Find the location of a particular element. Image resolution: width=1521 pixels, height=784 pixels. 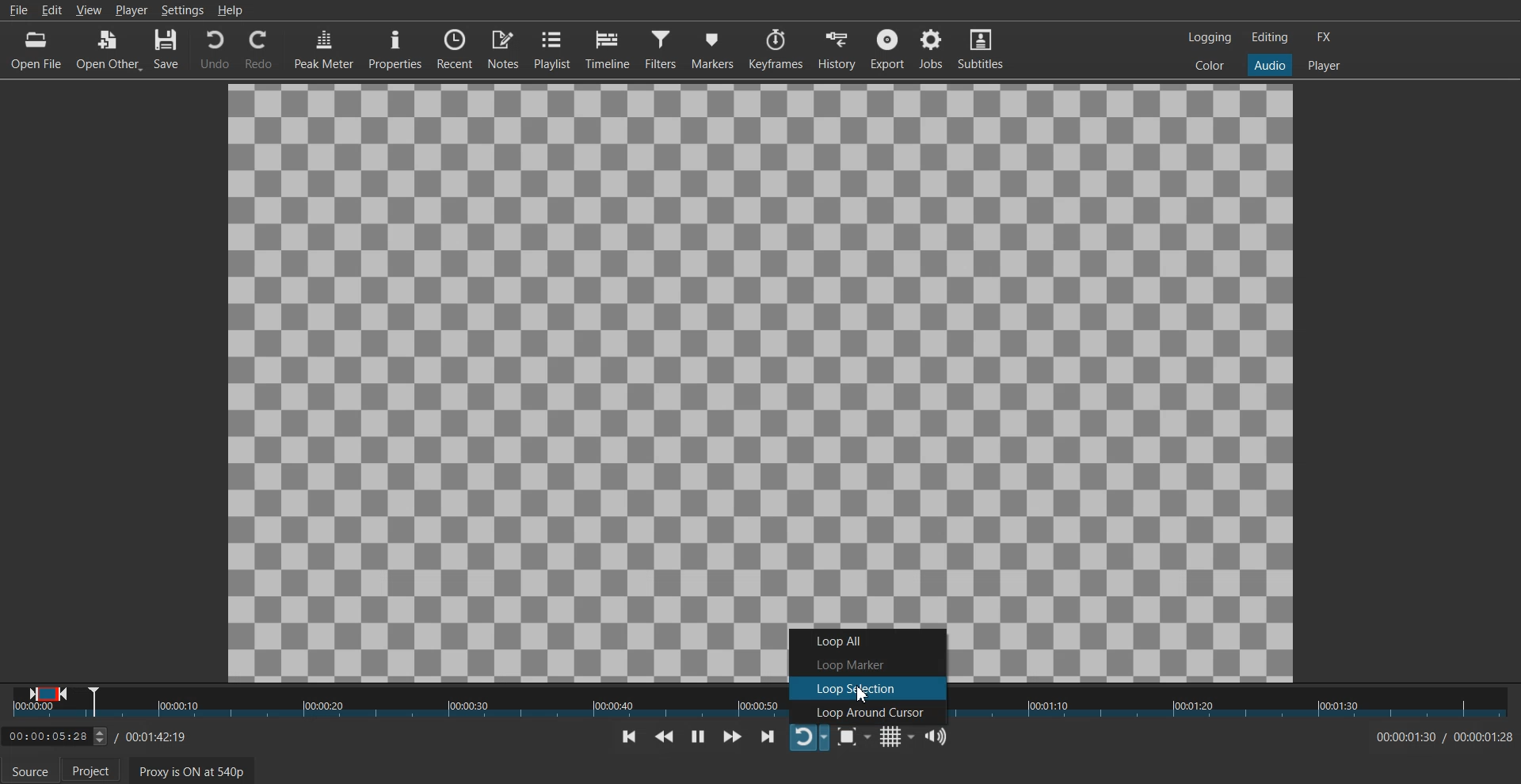

Skip To previous point is located at coordinates (629, 736).